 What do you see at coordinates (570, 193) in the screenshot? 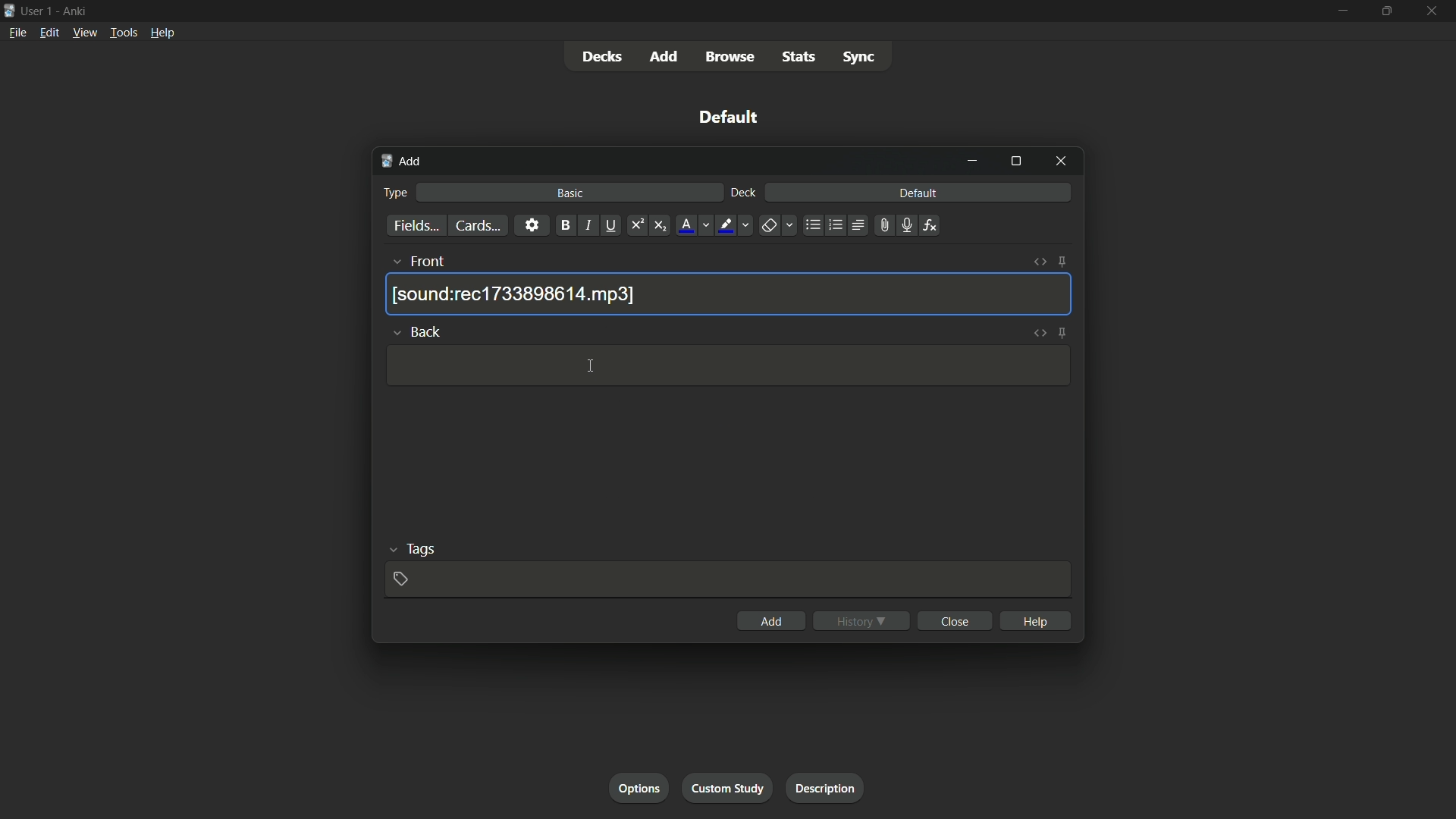
I see `basic` at bounding box center [570, 193].